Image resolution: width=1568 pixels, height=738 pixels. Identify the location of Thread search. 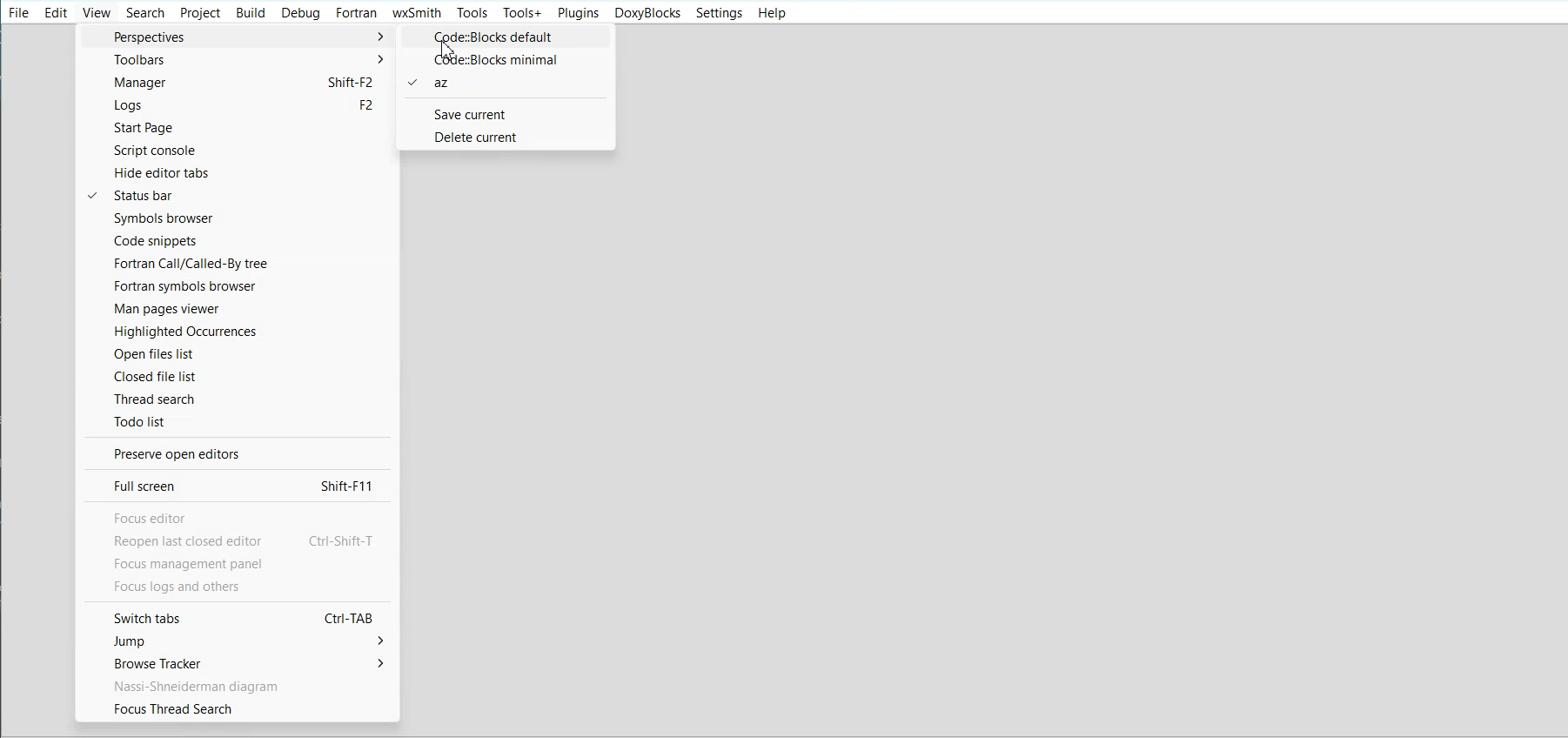
(238, 399).